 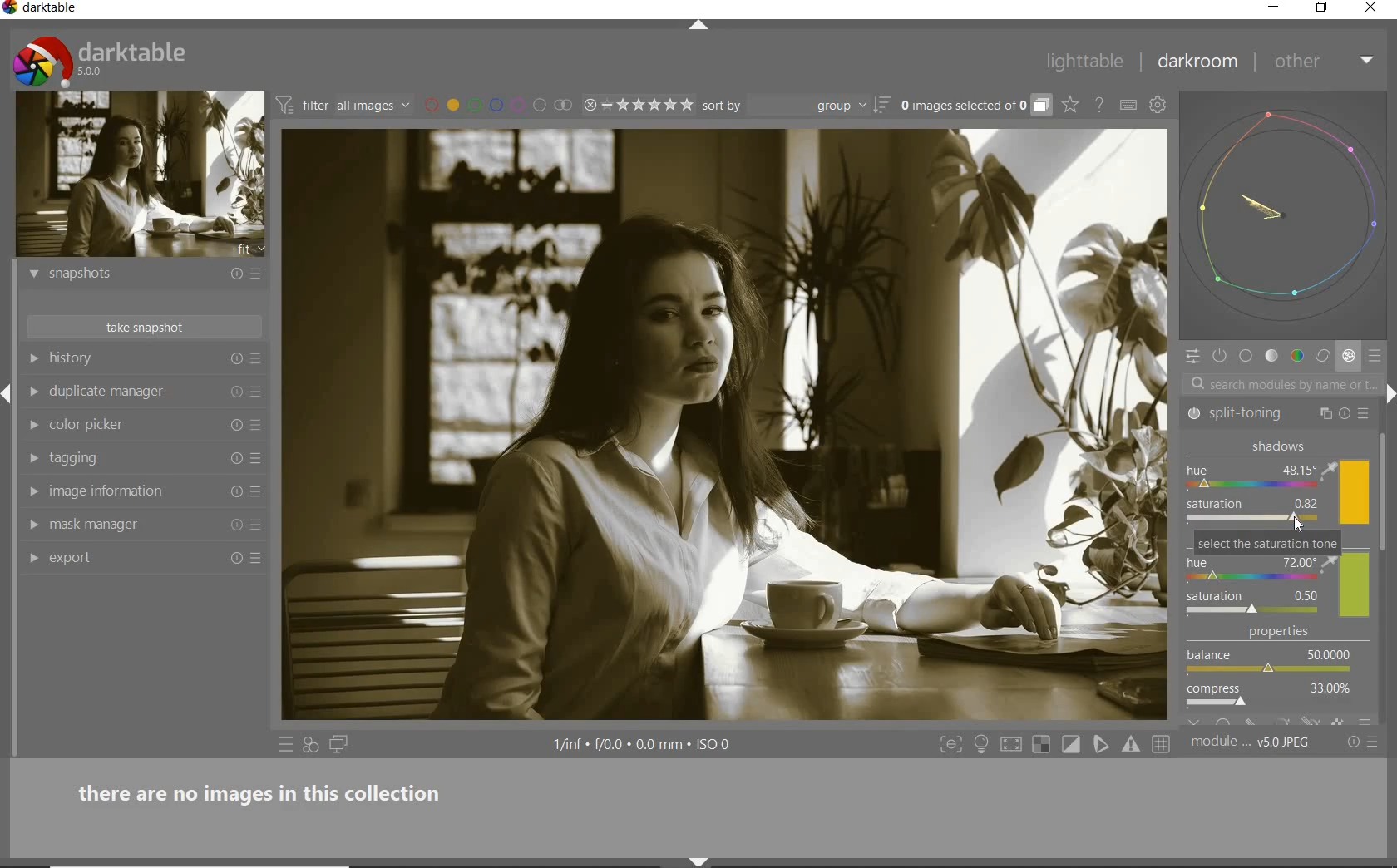 What do you see at coordinates (259, 558) in the screenshot?
I see `preset and preferences` at bounding box center [259, 558].